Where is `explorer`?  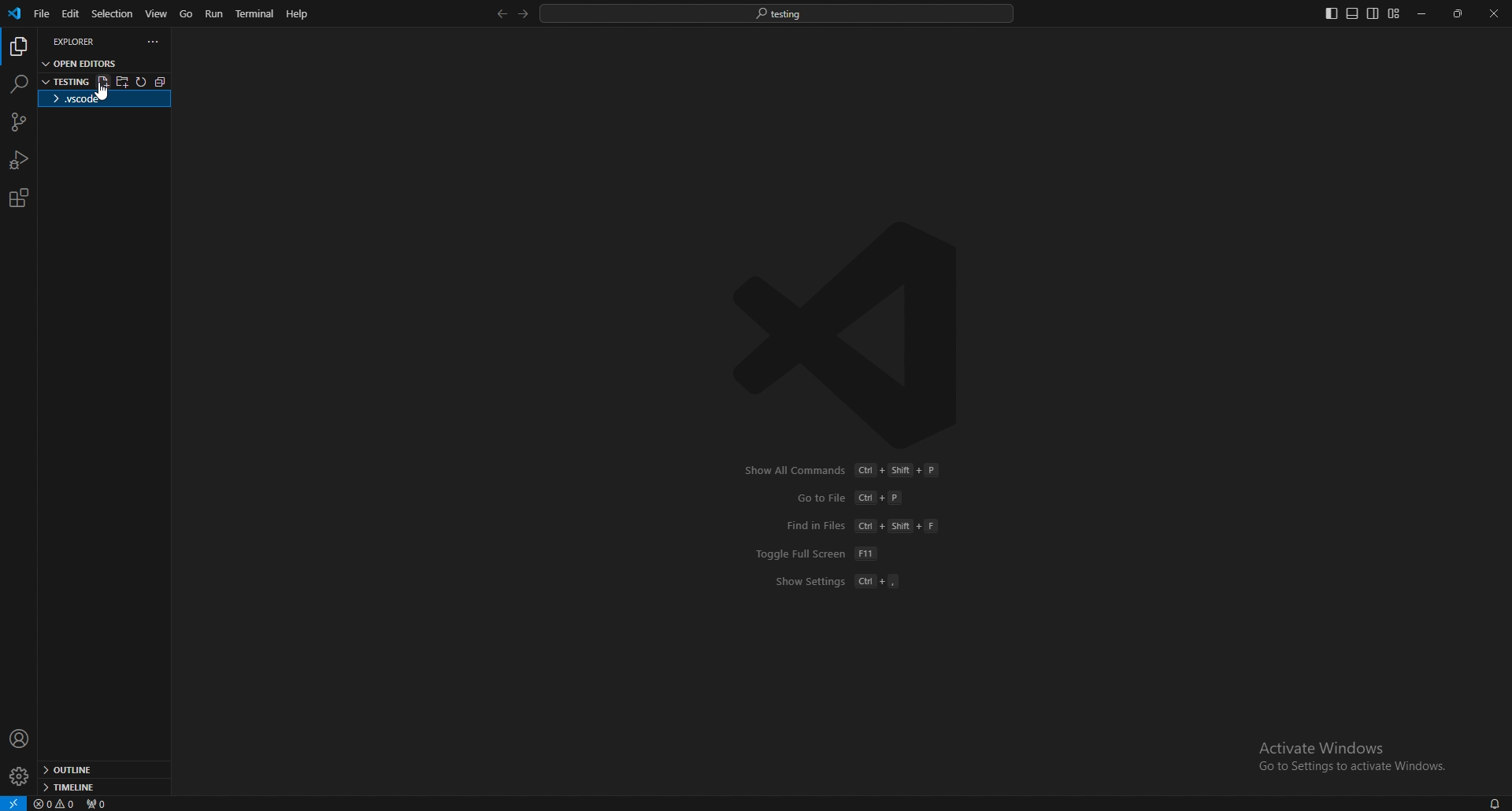
explorer is located at coordinates (83, 41).